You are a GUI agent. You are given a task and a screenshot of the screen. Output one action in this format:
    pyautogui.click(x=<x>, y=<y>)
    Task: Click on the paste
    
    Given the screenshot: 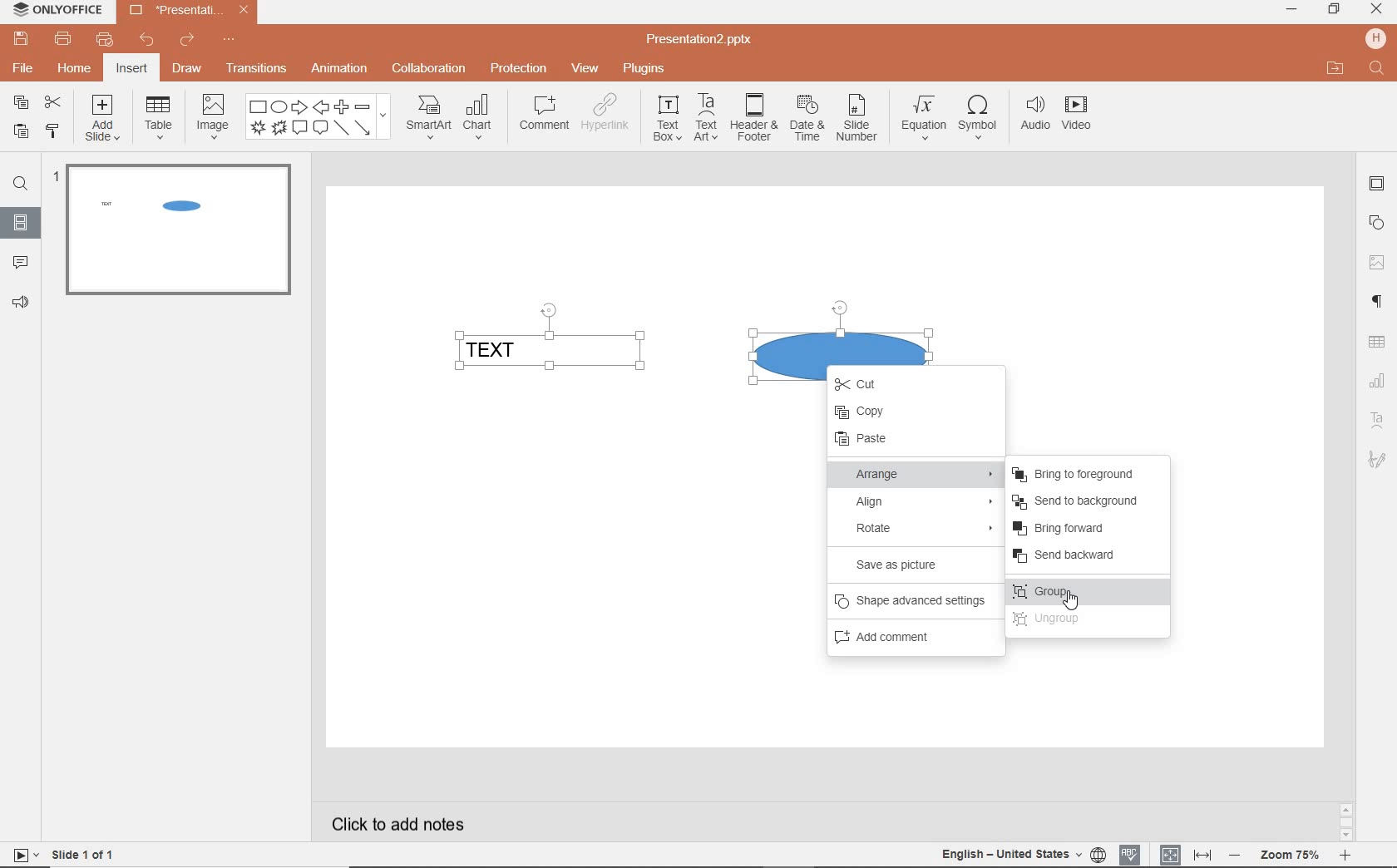 What is the action you would take?
    pyautogui.click(x=21, y=133)
    